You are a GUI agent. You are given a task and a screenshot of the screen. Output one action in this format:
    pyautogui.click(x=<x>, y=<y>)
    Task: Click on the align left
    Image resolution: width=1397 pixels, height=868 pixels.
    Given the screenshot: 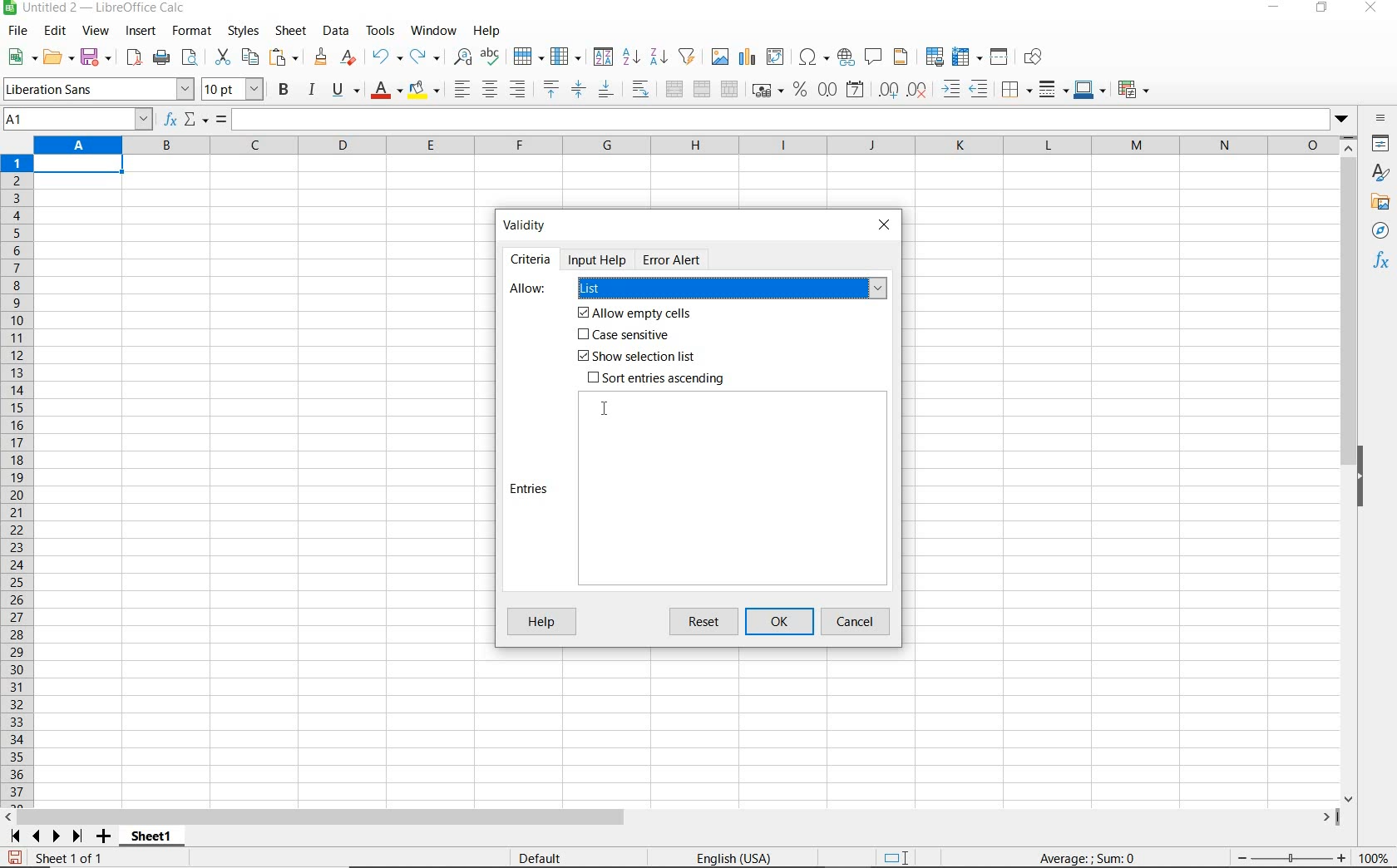 What is the action you would take?
    pyautogui.click(x=461, y=91)
    